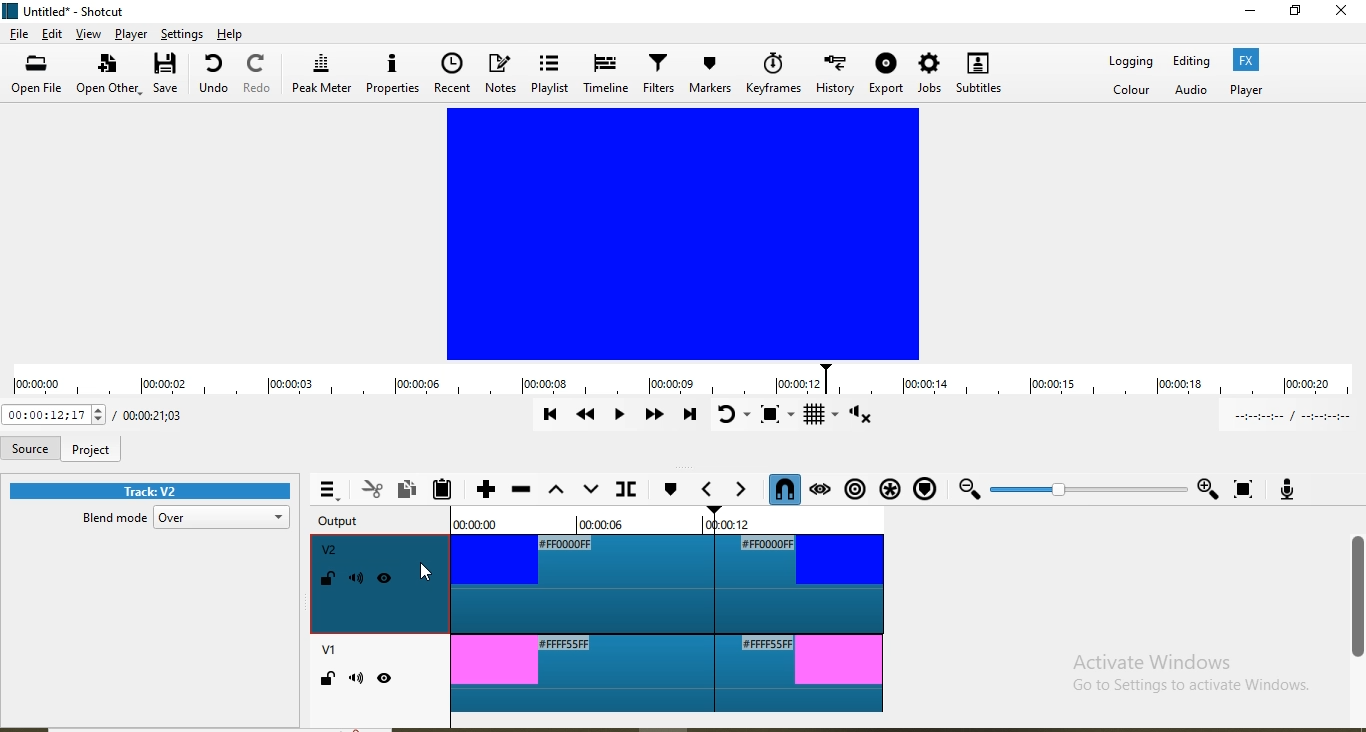 This screenshot has width=1366, height=732. I want to click on Scrub while dragging, so click(821, 490).